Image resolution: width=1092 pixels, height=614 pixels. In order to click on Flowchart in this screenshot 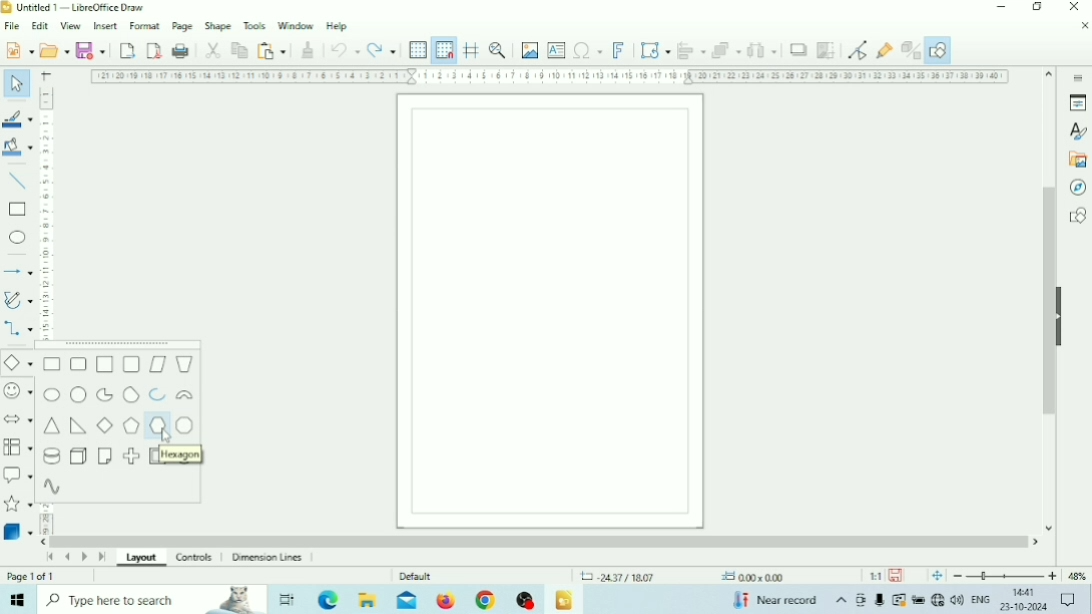, I will do `click(18, 447)`.